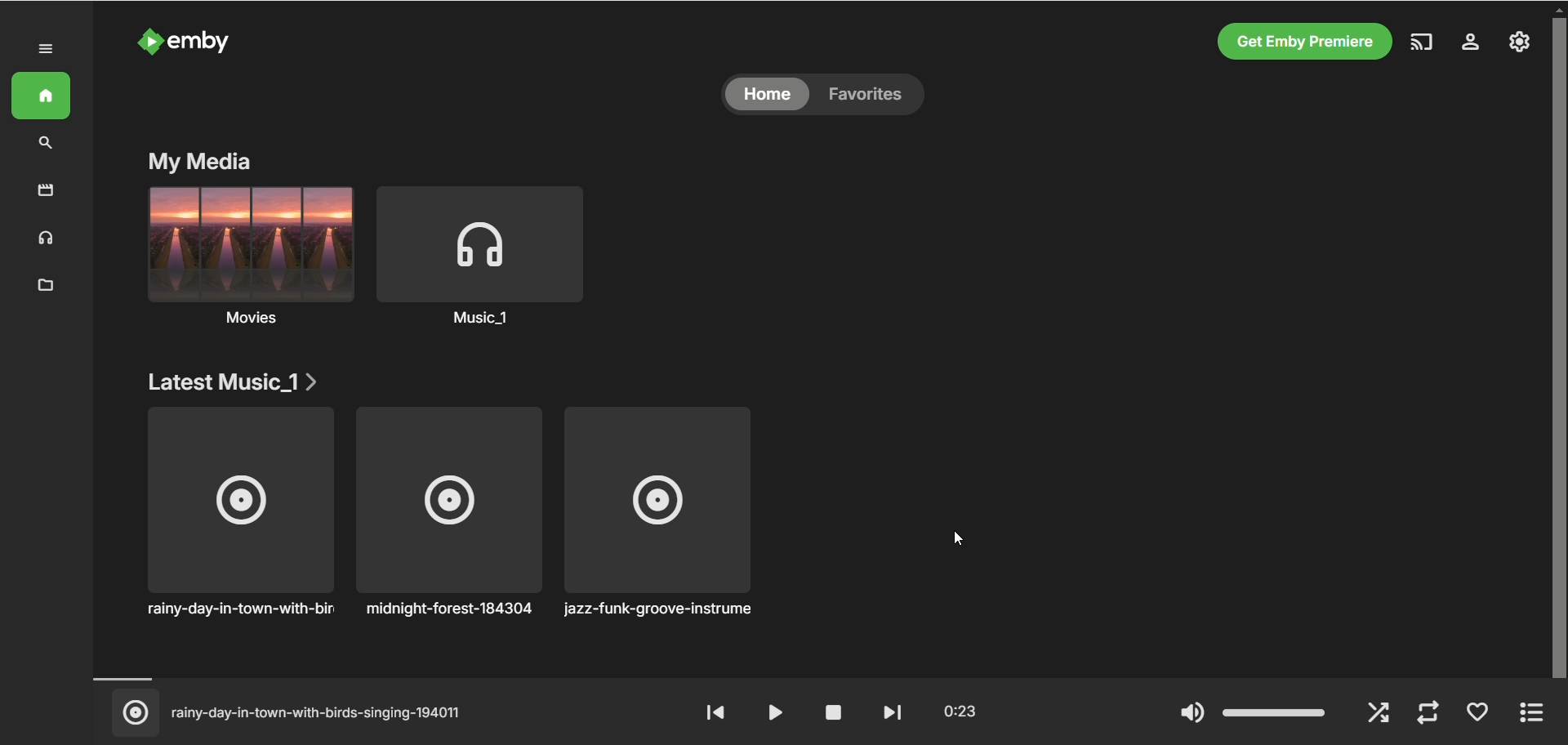 The width and height of the screenshot is (1568, 745). What do you see at coordinates (714, 710) in the screenshot?
I see `rewind` at bounding box center [714, 710].